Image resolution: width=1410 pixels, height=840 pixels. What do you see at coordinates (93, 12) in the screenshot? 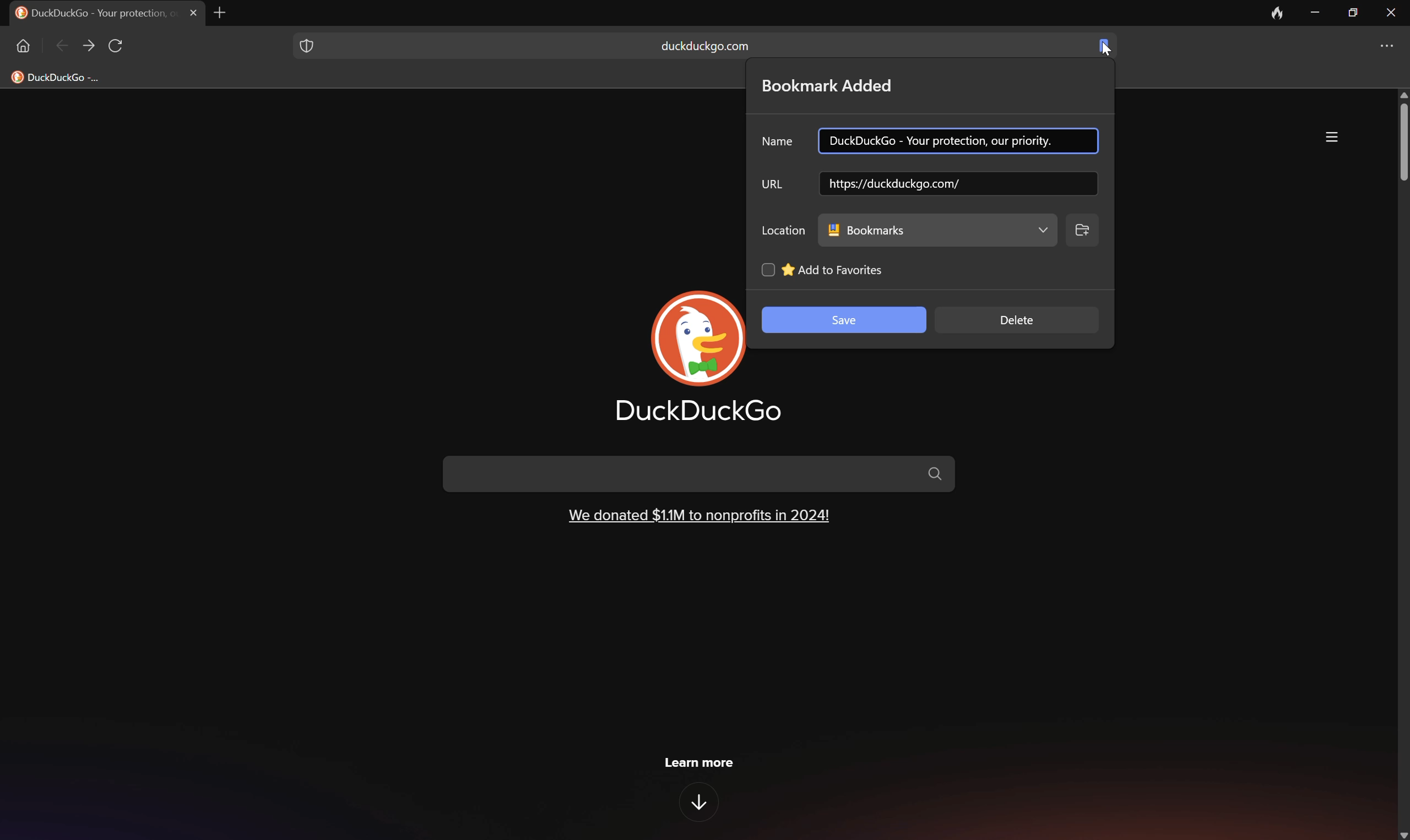
I see `DuckDuckGo - Your Protection` at bounding box center [93, 12].